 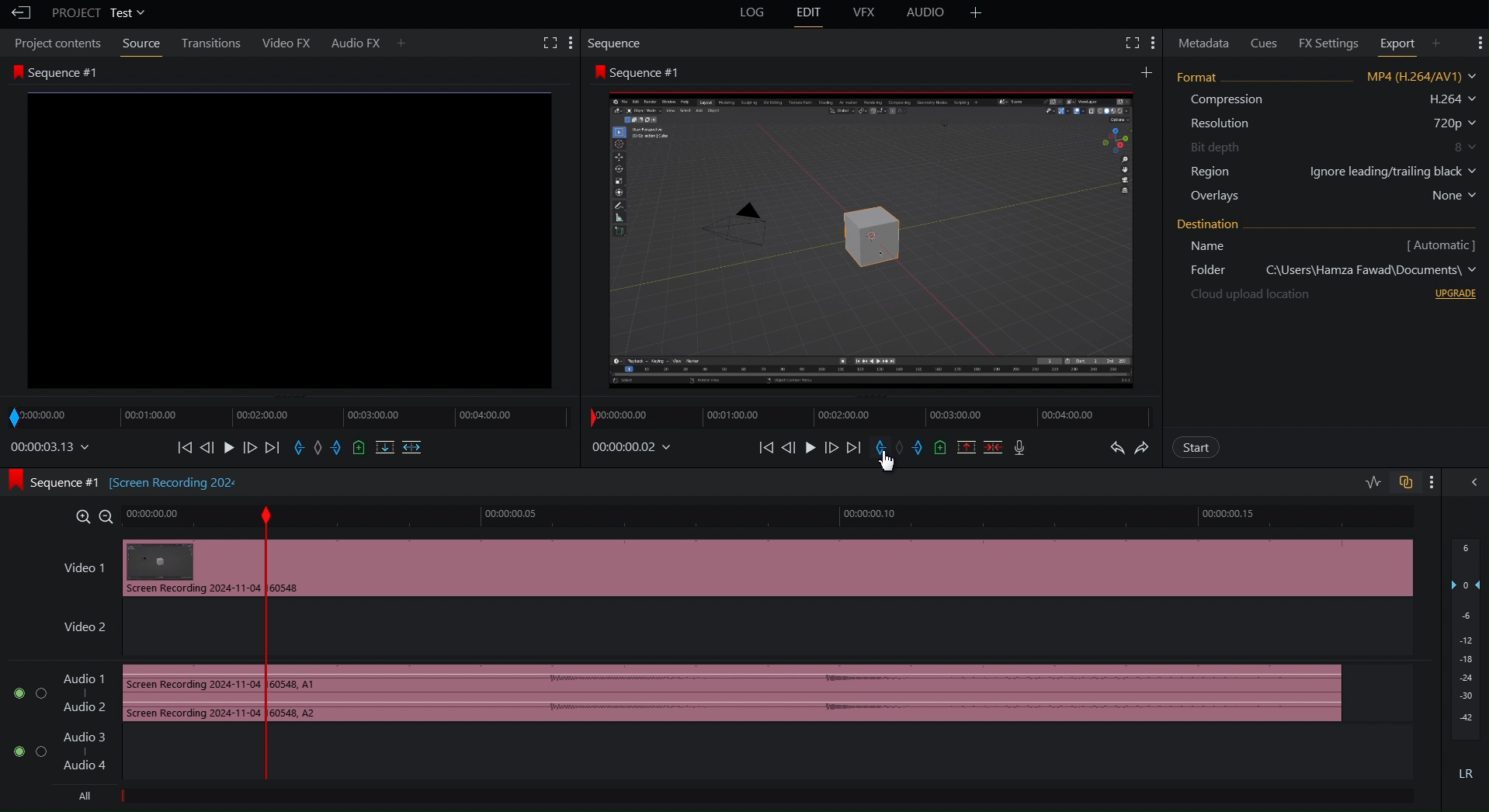 I want to click on Timeline, so click(x=691, y=516).